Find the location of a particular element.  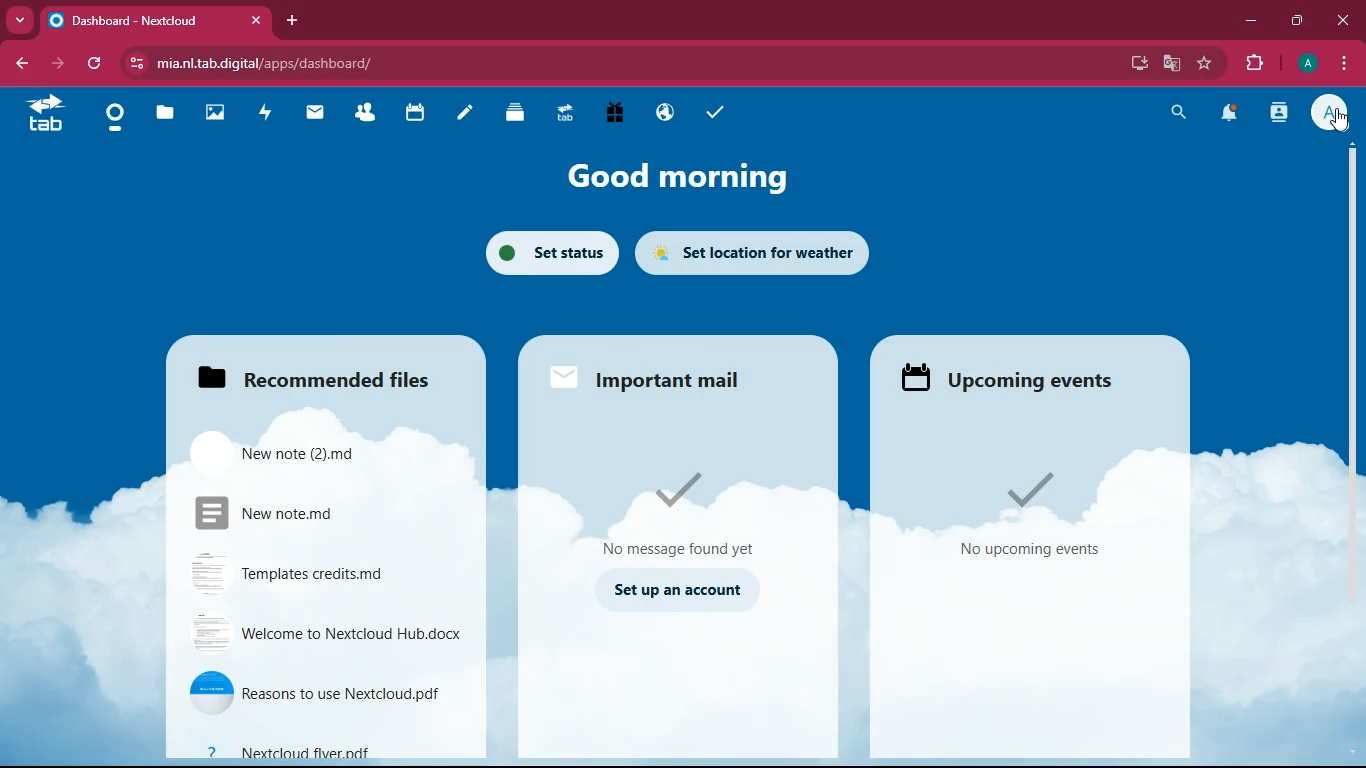

set location is located at coordinates (755, 255).